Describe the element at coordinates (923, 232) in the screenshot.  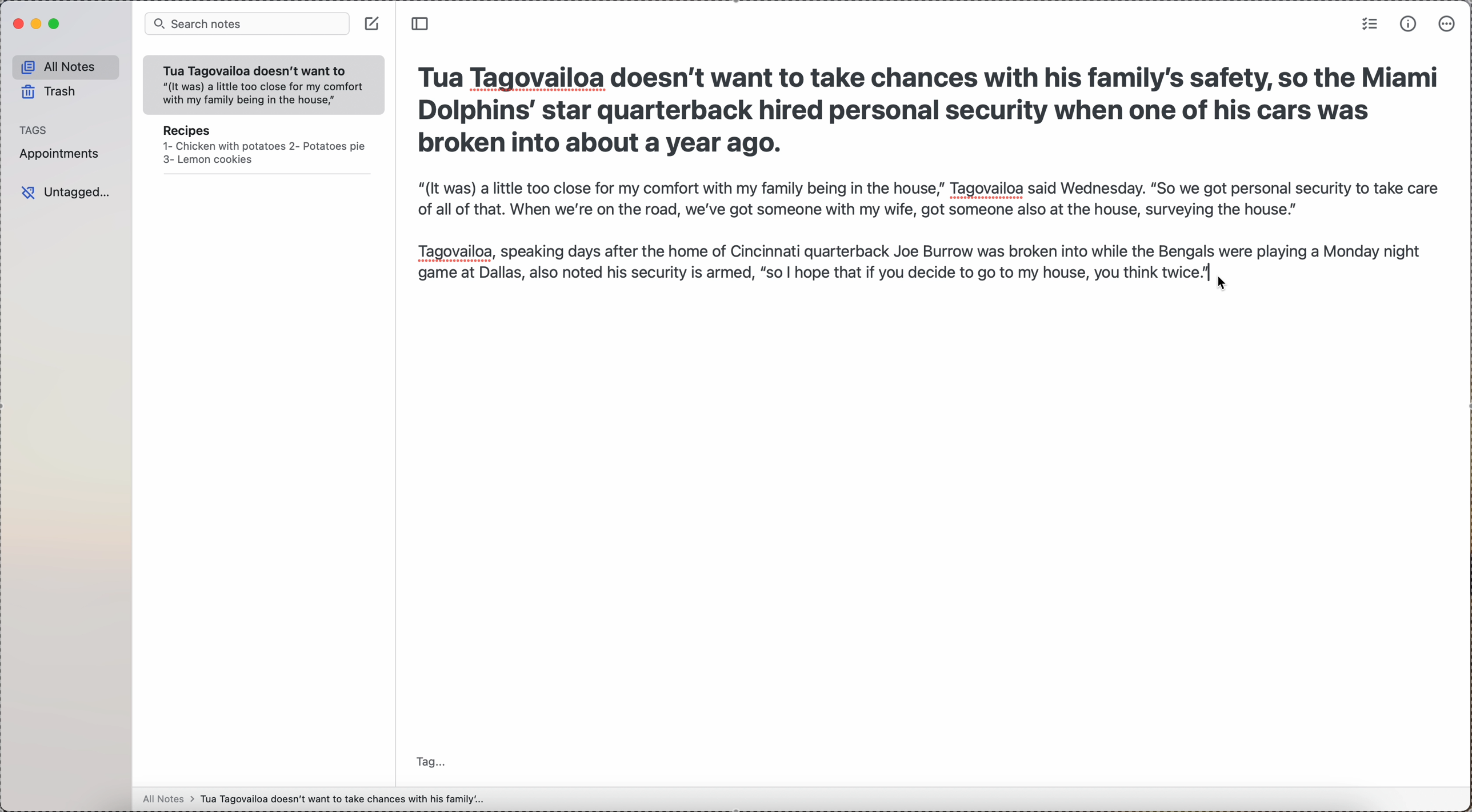
I see `“(It was) a little too close for my comfort with my family being in the house,” Tagovailoa said Wednesday. “So we got personal security to take care
of all of that. When we're on the road, we've got someone with my wife, got someone also at the house, surveying the house.”

Tagovailoa, speaking days after the home of Cincinnati quarterback Joe Burrow was broken into while the Bengals were playing a Monday night
game at Dallas, also noted his security is armed, “so | hope that if you decide to go to my house, you think twice] A` at that location.